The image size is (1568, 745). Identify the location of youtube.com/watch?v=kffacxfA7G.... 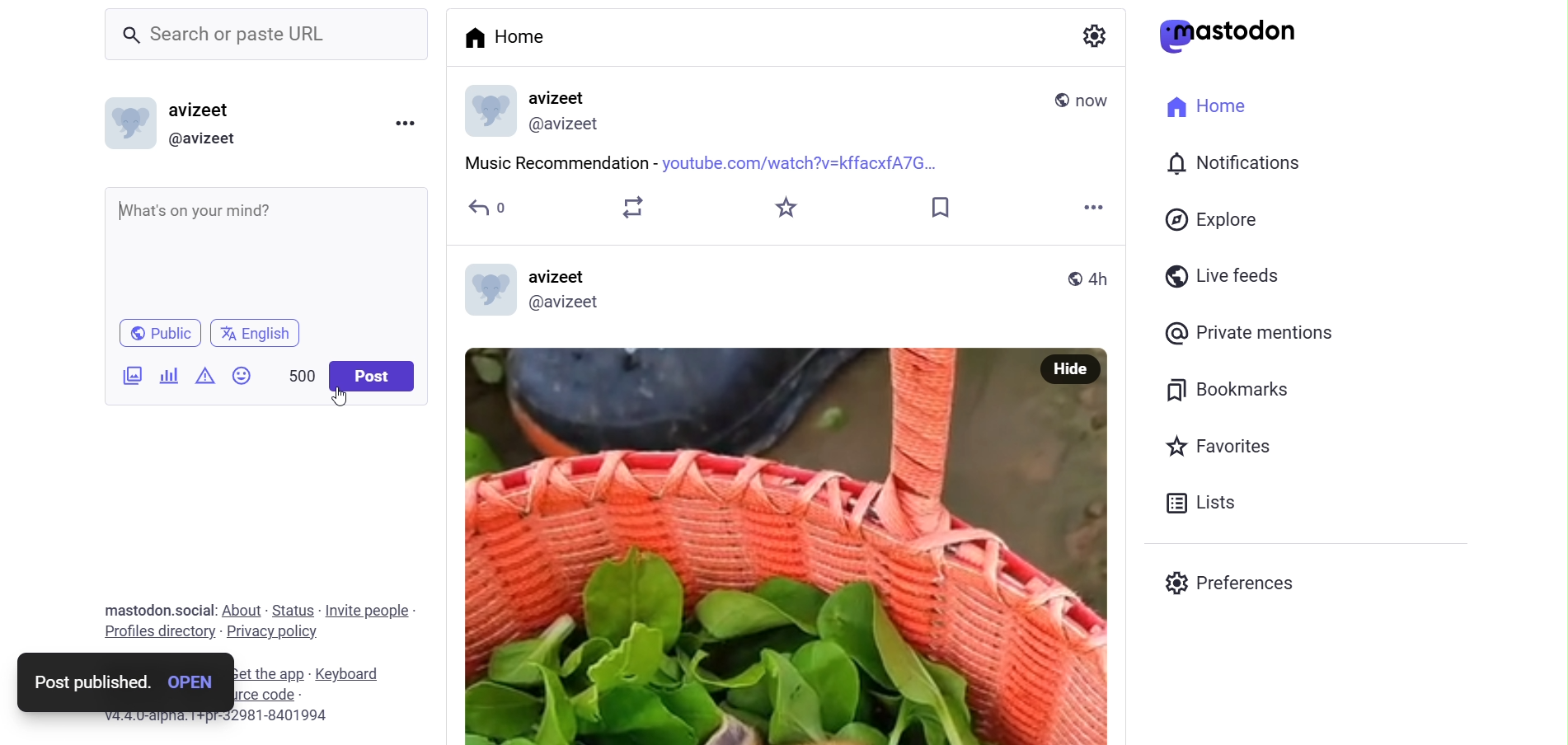
(800, 163).